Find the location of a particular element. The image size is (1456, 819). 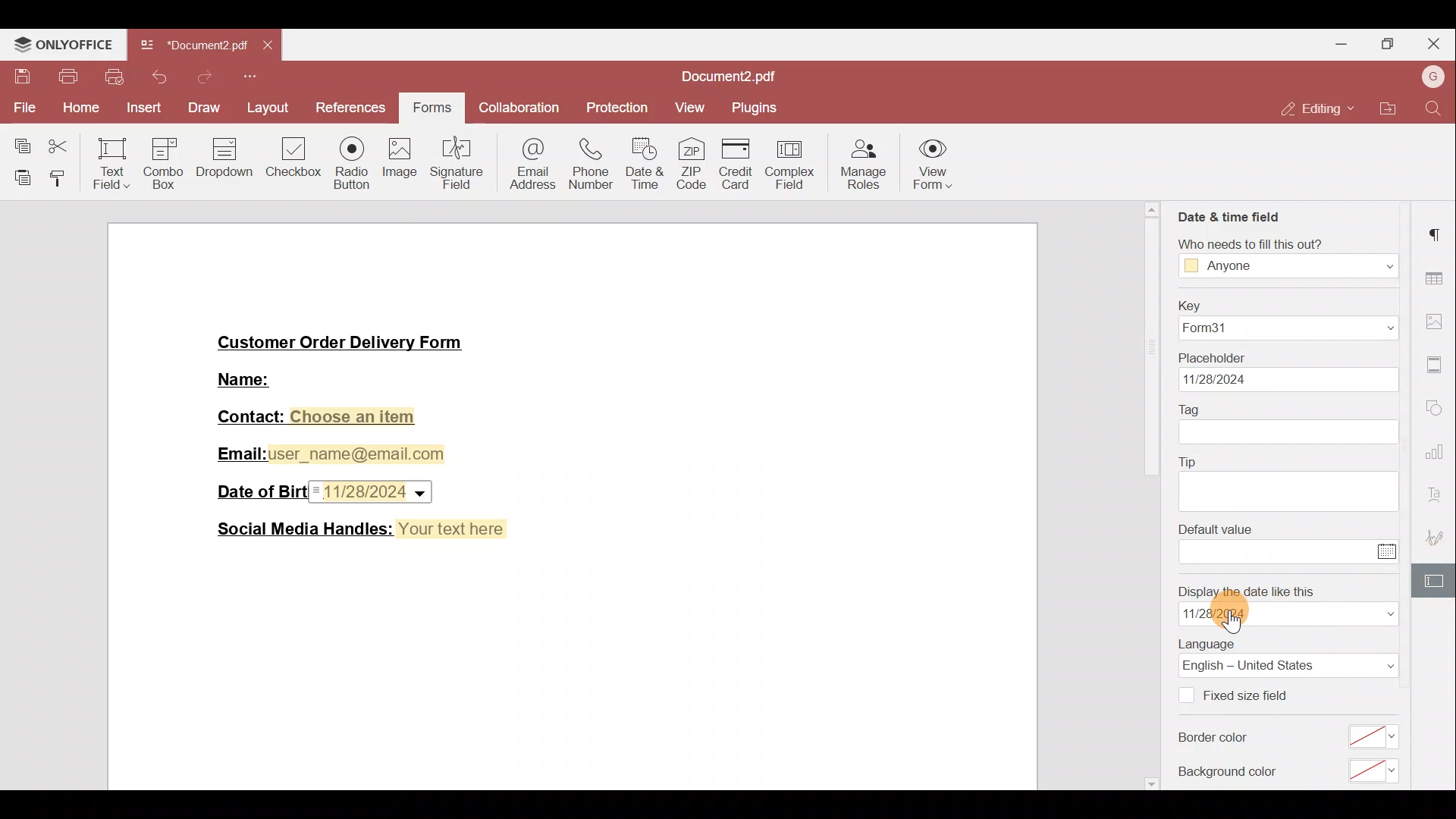

Tag is located at coordinates (1191, 410).